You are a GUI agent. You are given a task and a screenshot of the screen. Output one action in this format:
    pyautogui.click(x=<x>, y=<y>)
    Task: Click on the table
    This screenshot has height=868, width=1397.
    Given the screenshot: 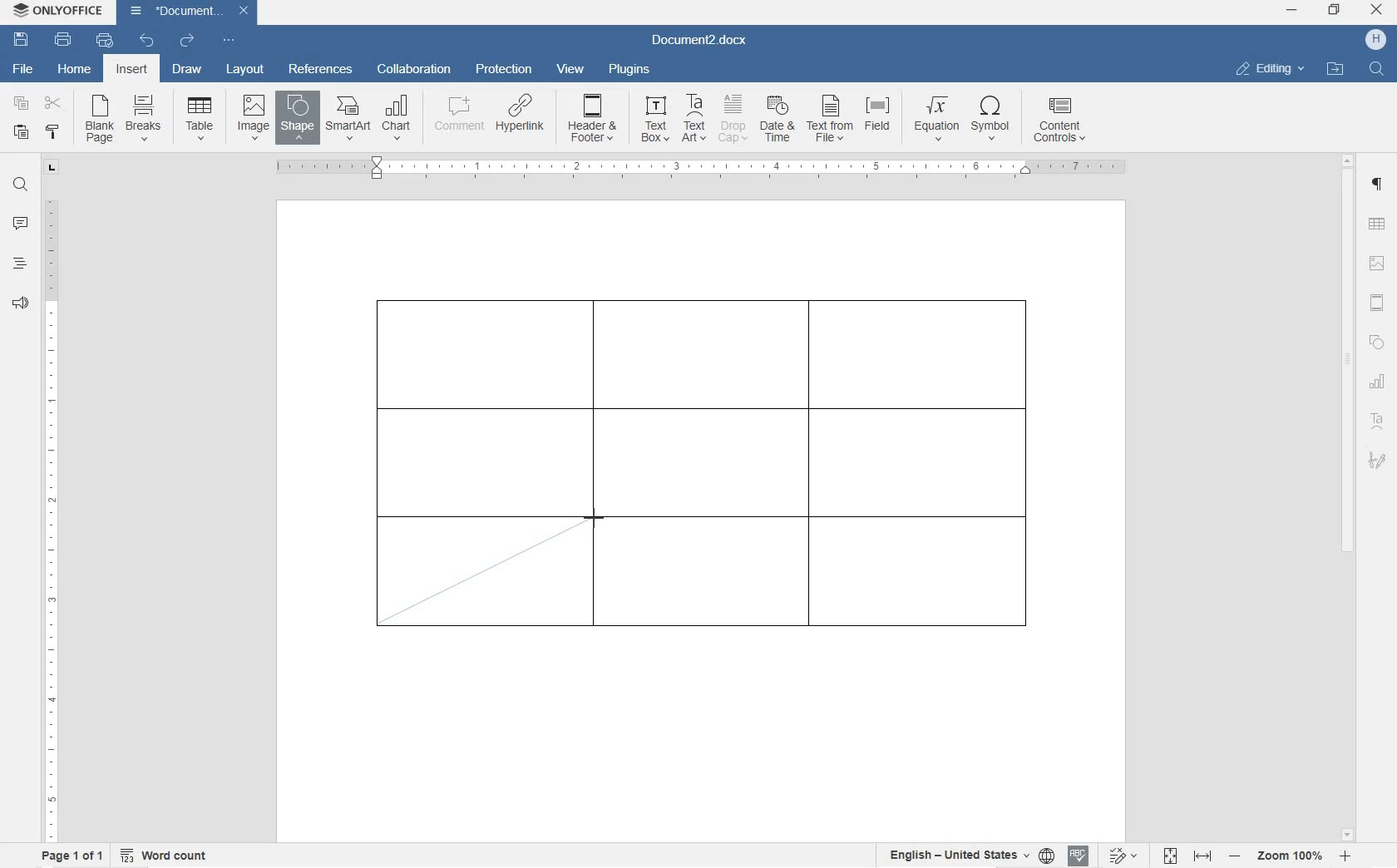 What is the action you would take?
    pyautogui.click(x=1377, y=225)
    